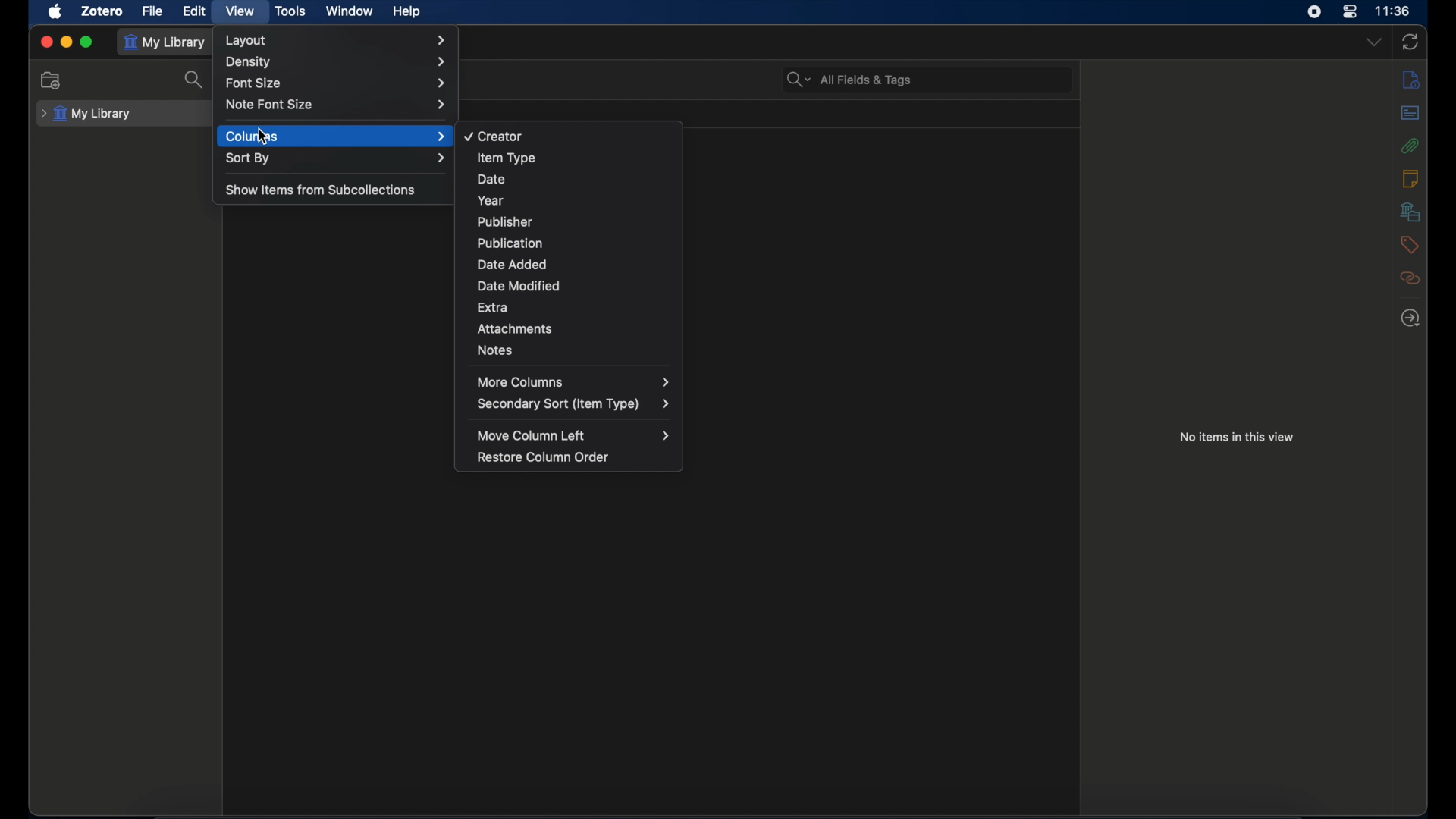 The width and height of the screenshot is (1456, 819). What do you see at coordinates (850, 80) in the screenshot?
I see `search bar` at bounding box center [850, 80].